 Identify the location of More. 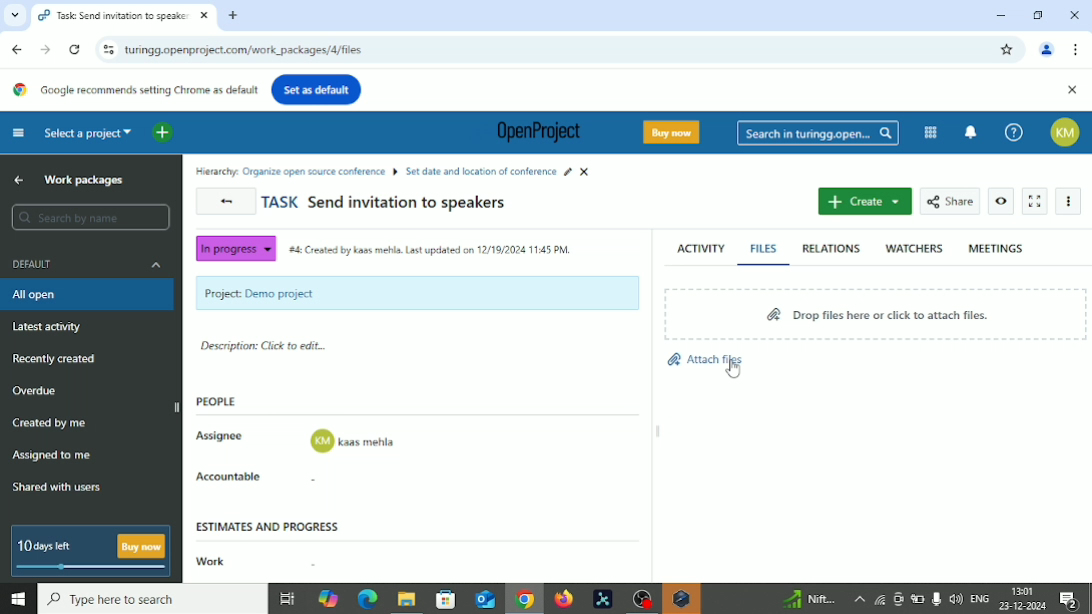
(858, 599).